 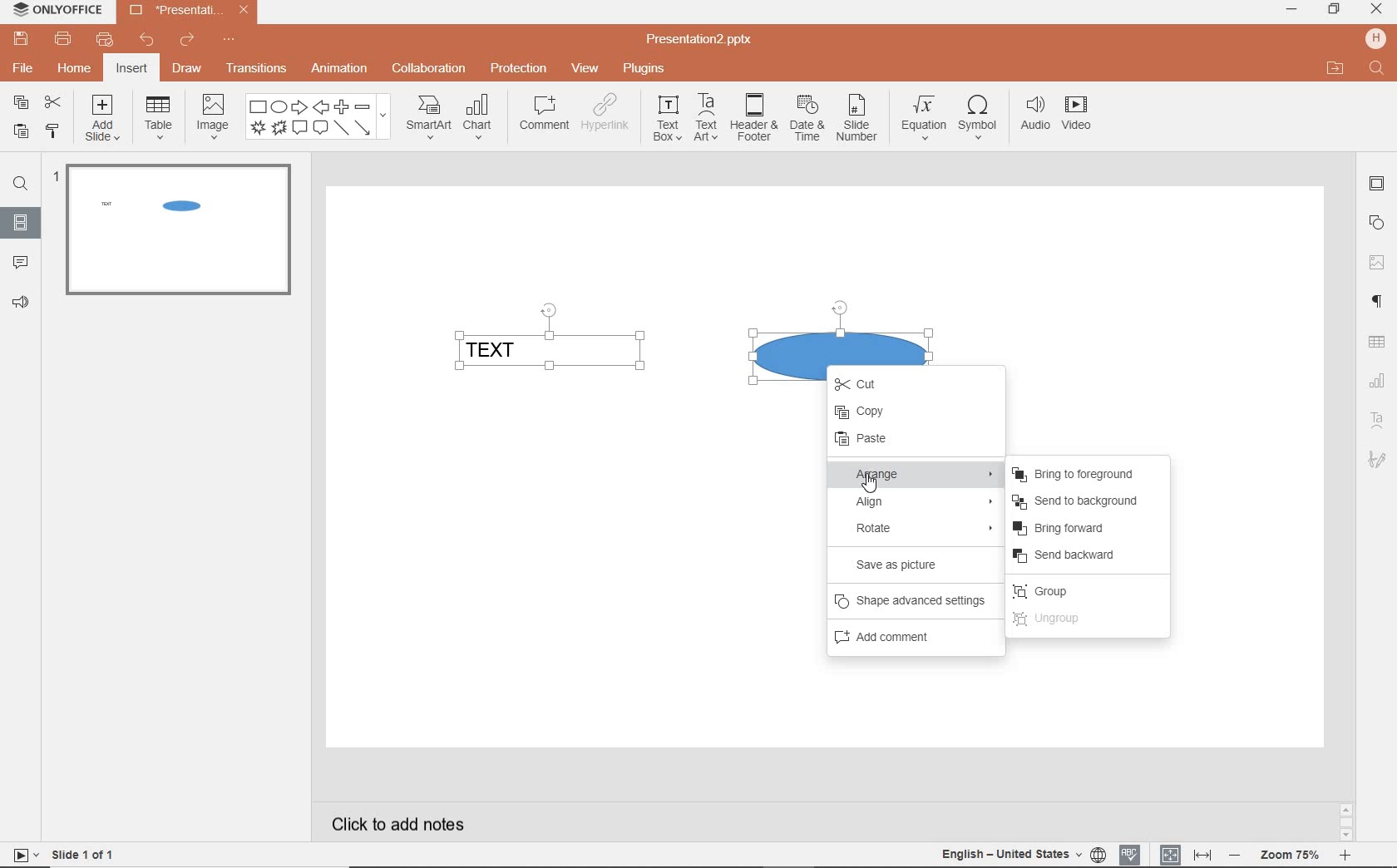 What do you see at coordinates (21, 133) in the screenshot?
I see `paste` at bounding box center [21, 133].